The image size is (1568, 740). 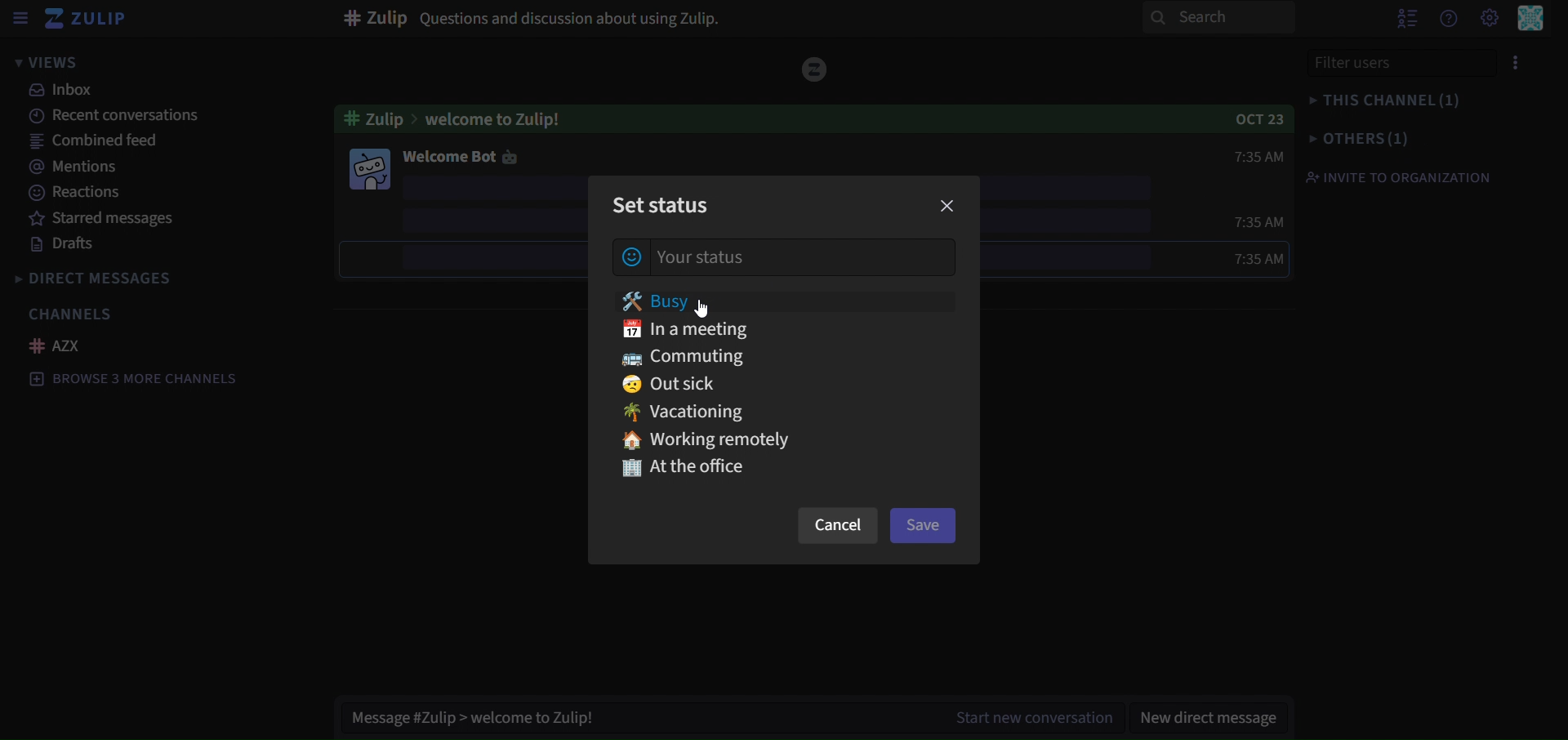 What do you see at coordinates (1397, 176) in the screenshot?
I see `invite to organisation` at bounding box center [1397, 176].